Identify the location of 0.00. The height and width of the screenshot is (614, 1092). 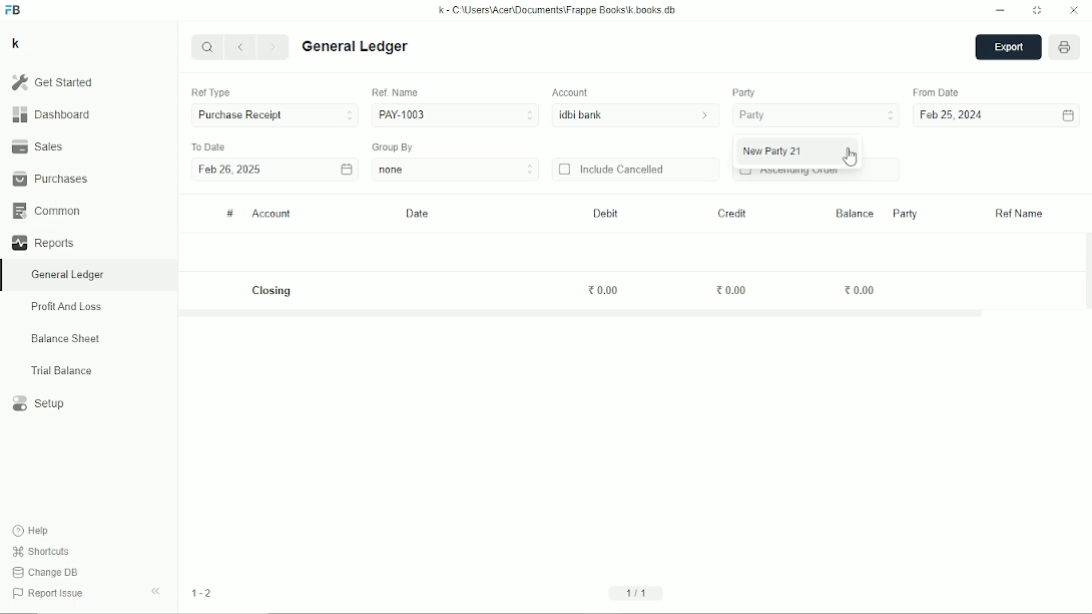
(732, 291).